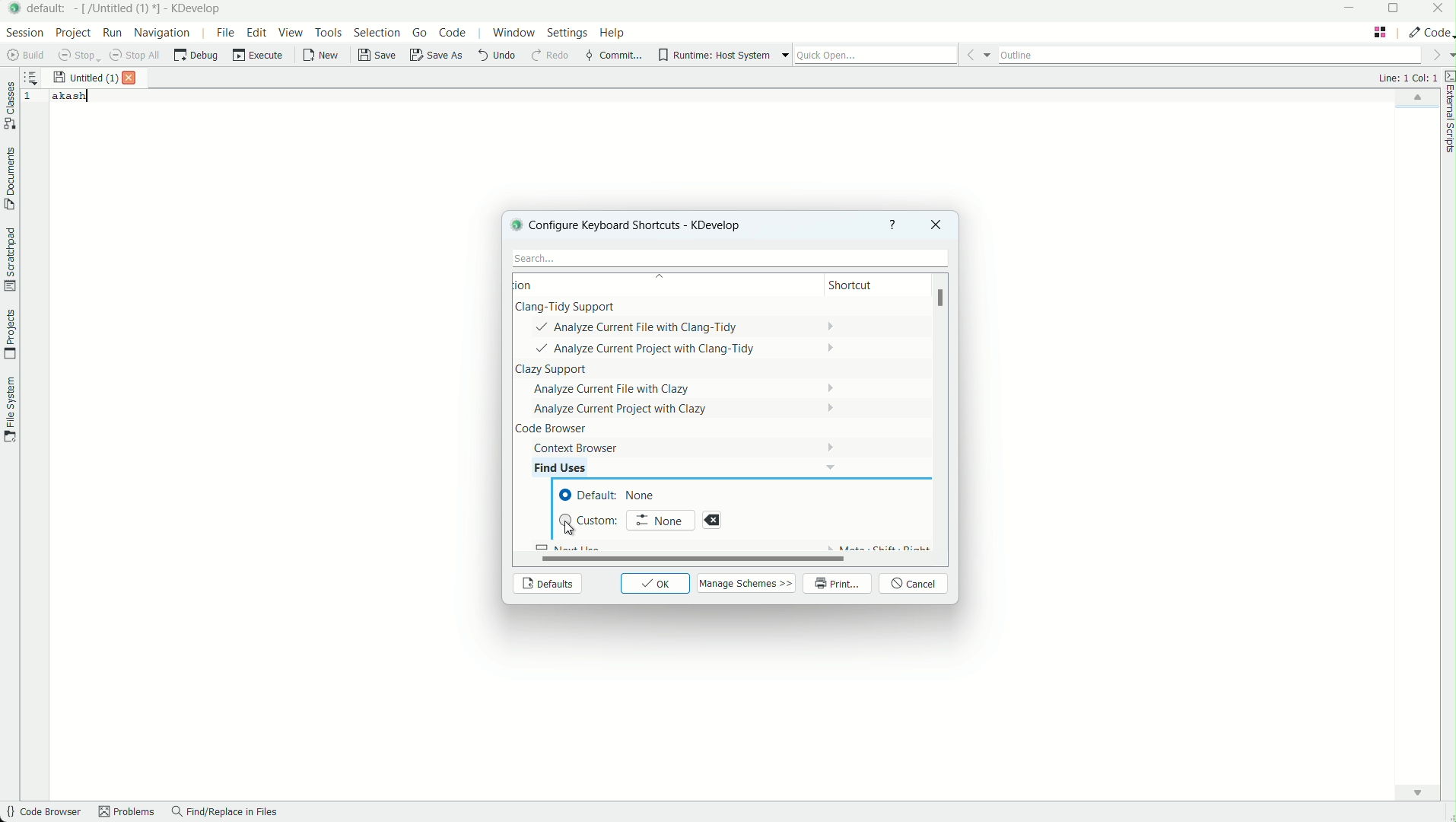 This screenshot has width=1456, height=822. What do you see at coordinates (31, 75) in the screenshot?
I see `sort the opened documents` at bounding box center [31, 75].